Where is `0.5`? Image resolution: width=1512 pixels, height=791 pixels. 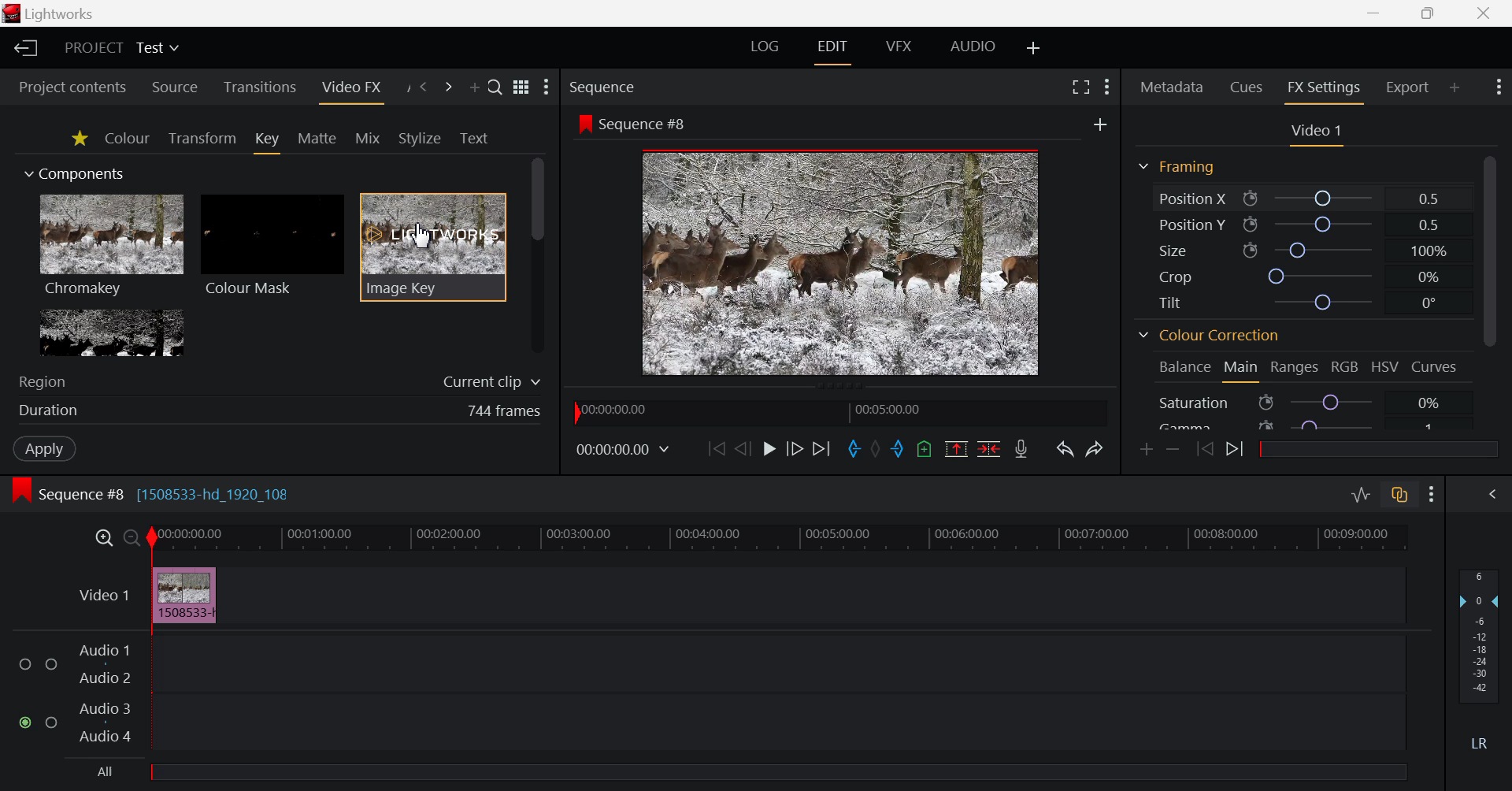
0.5 is located at coordinates (1429, 199).